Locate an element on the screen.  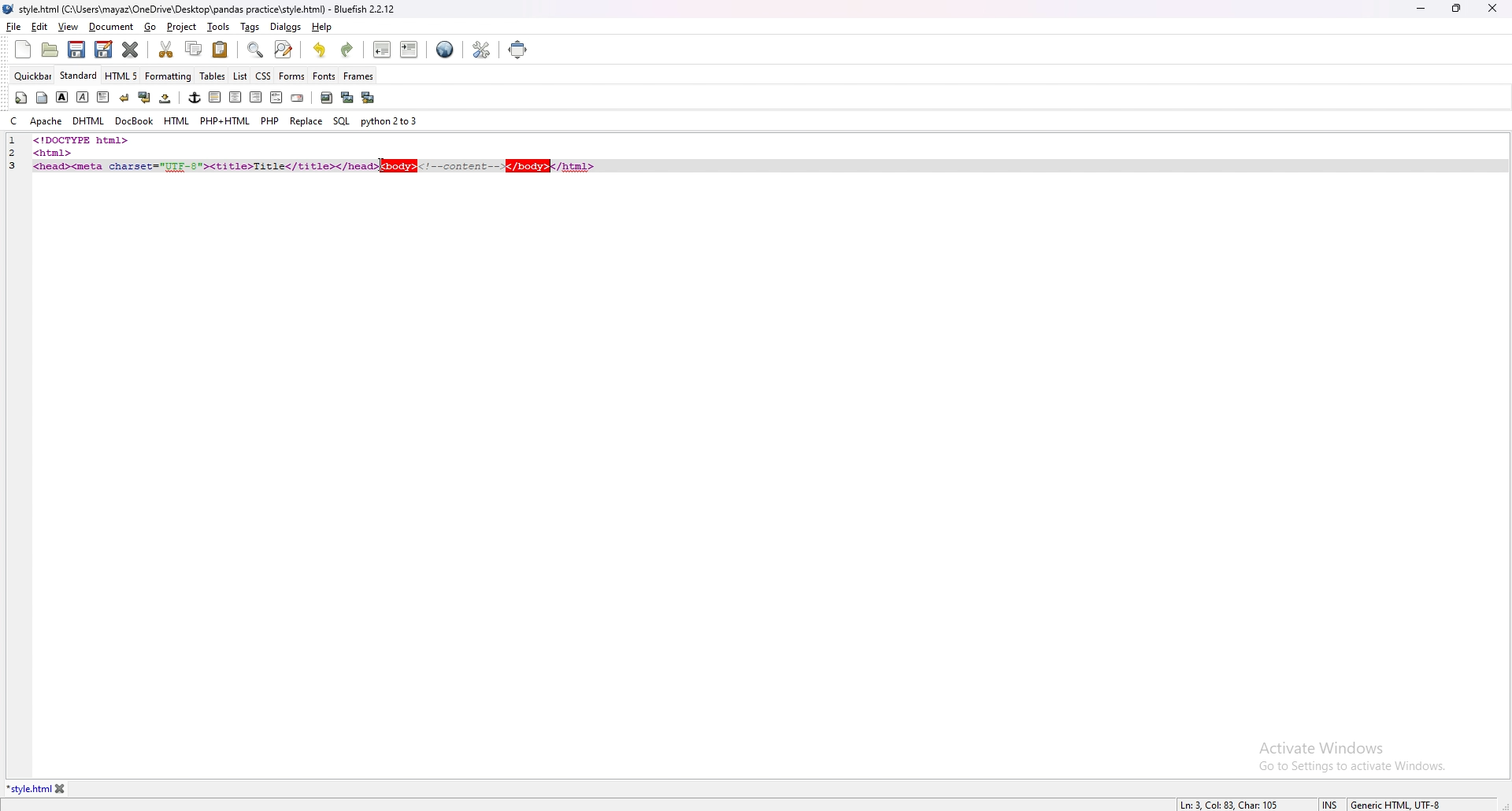
sql is located at coordinates (341, 120).